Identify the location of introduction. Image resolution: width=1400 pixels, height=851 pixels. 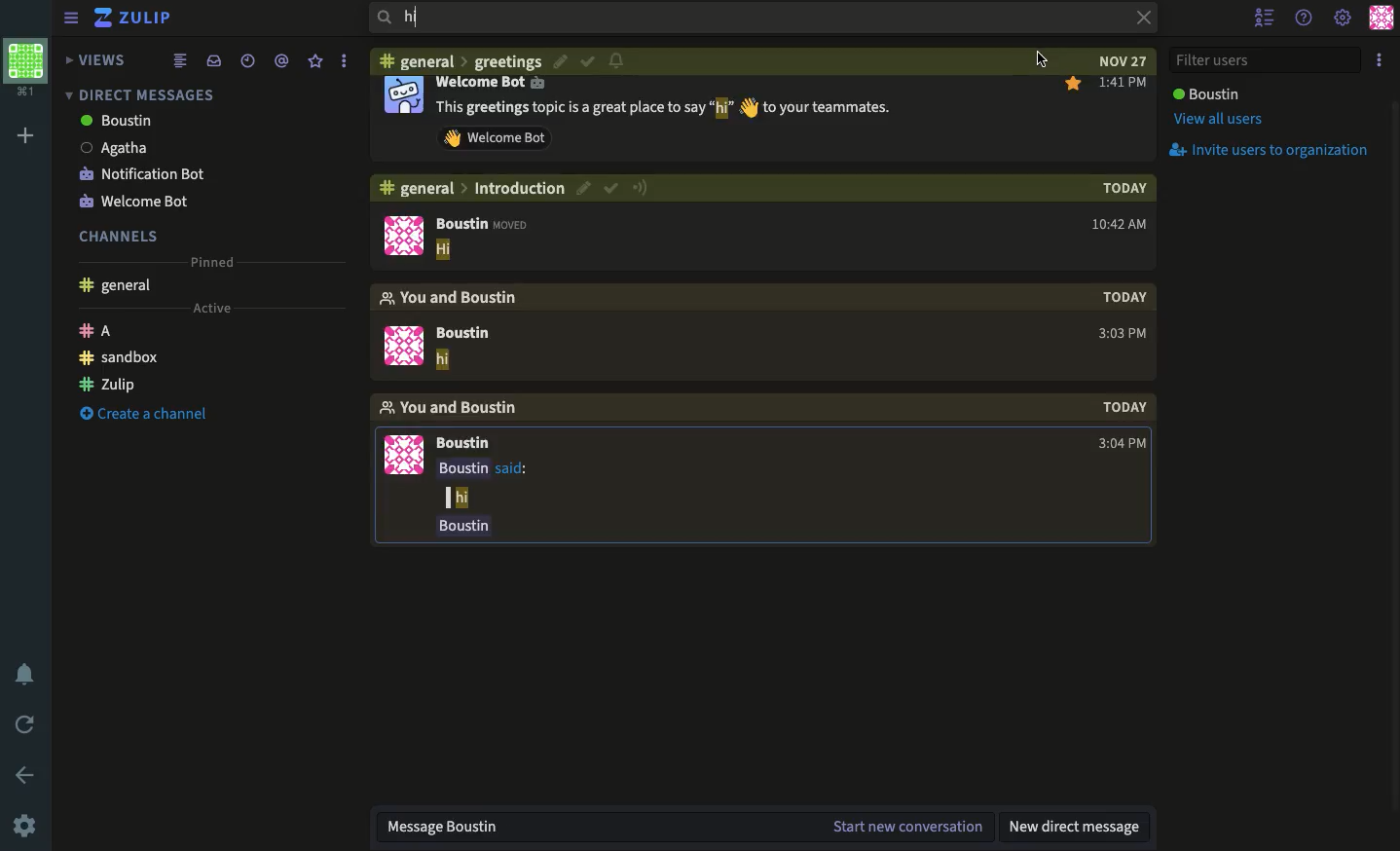
(521, 188).